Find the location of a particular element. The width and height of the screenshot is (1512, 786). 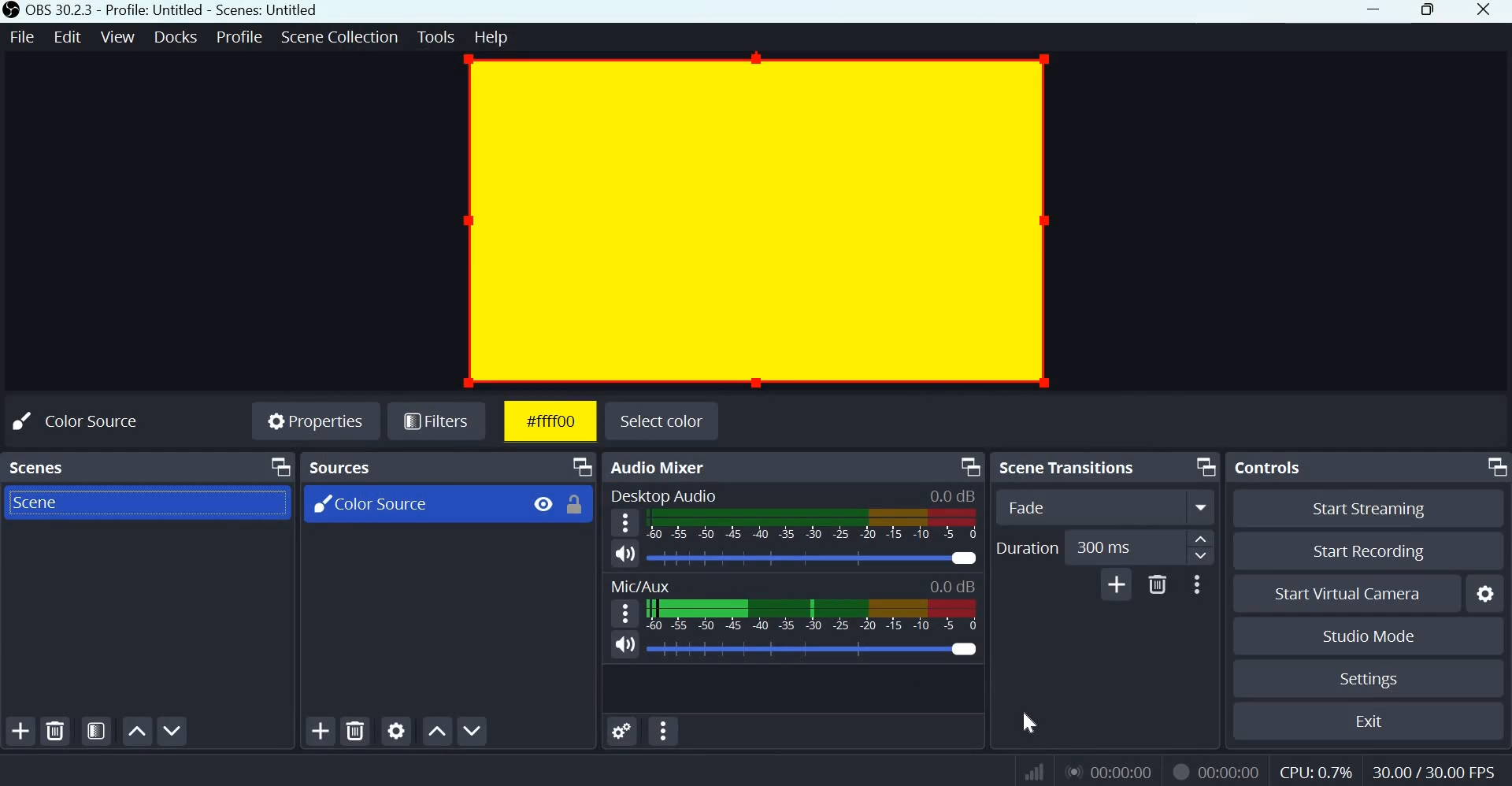

Scene is located at coordinates (35, 502).